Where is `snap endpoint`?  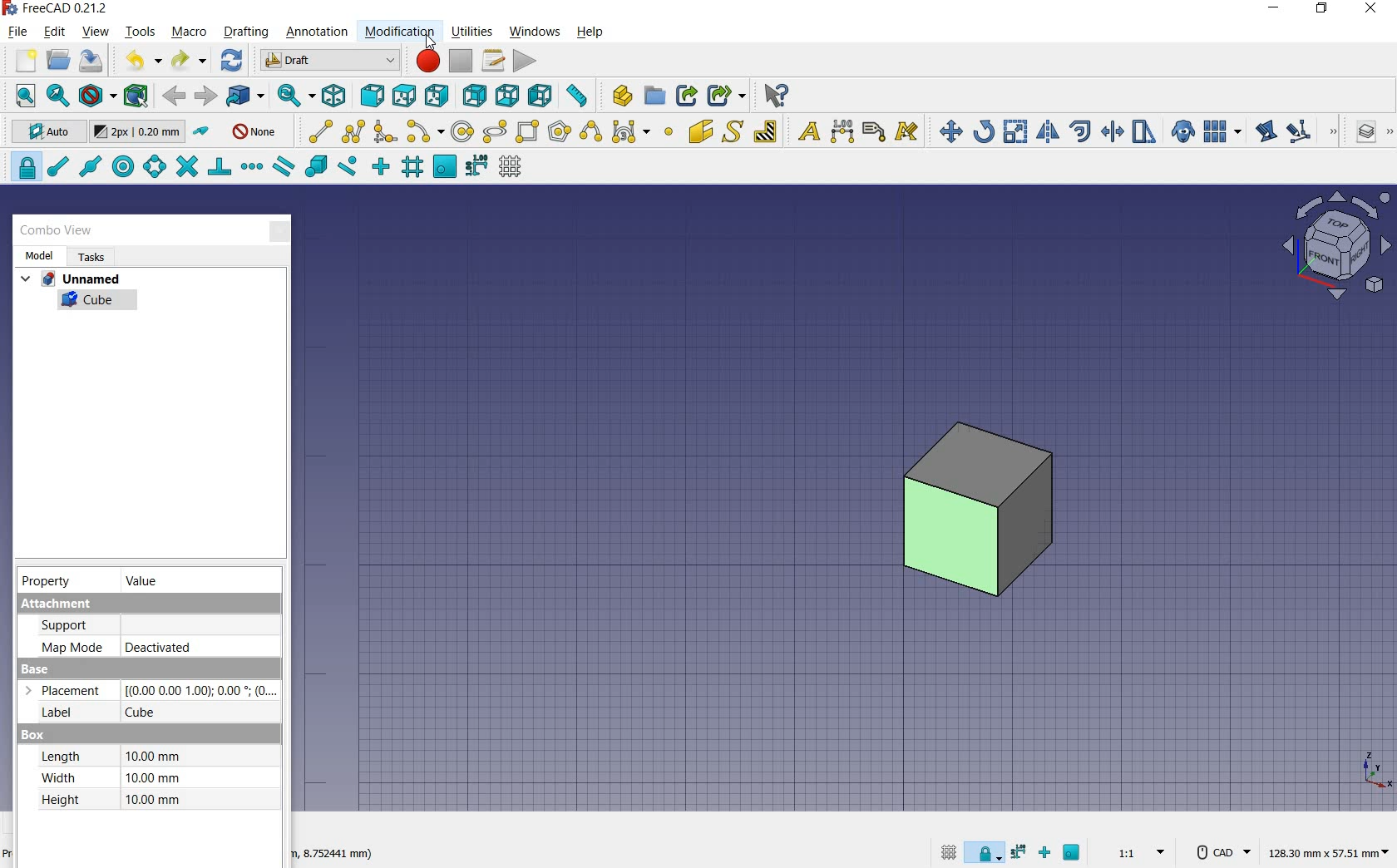
snap endpoint is located at coordinates (59, 167).